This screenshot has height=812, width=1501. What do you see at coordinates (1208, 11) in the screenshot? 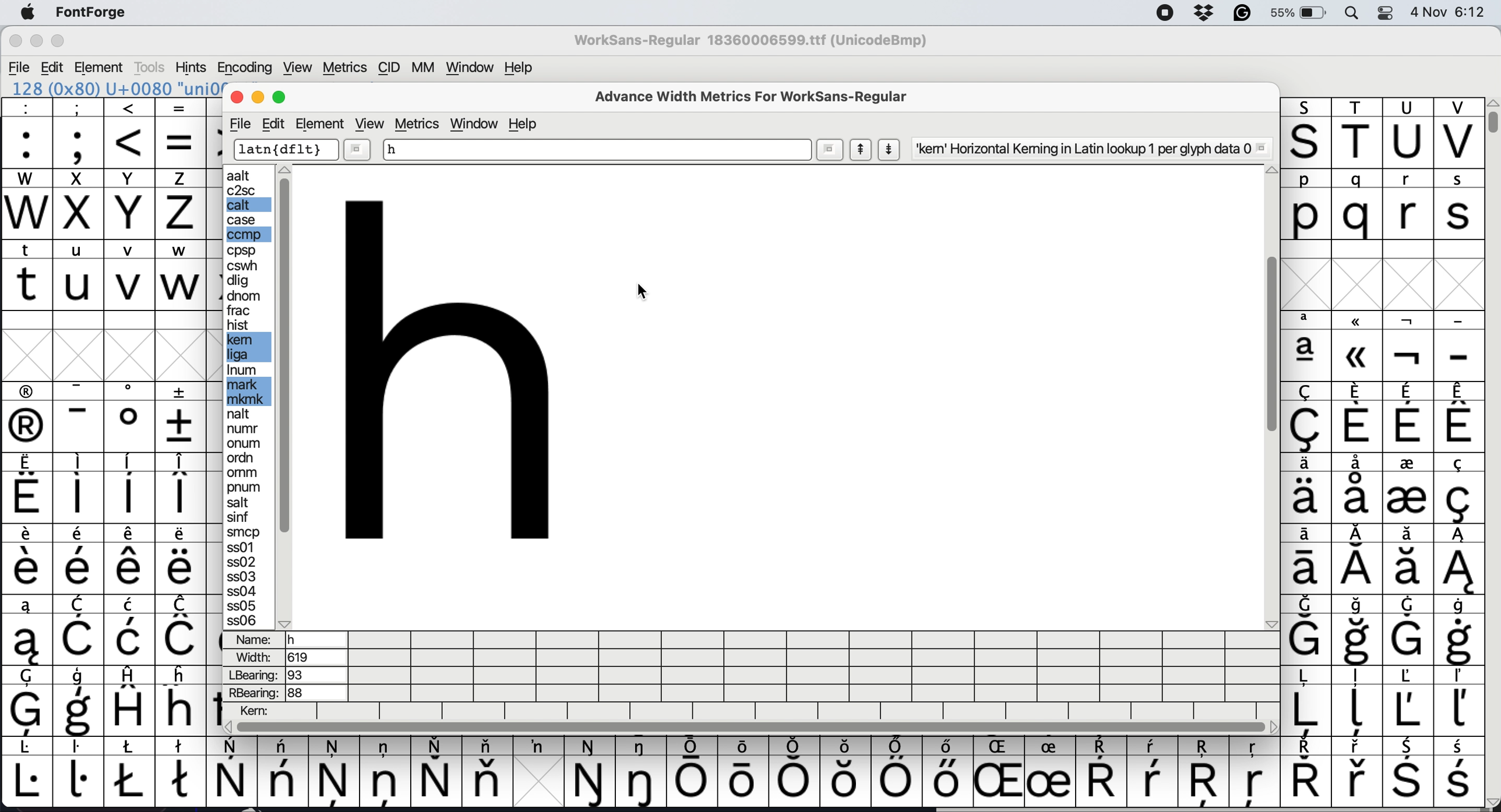
I see `dropbox` at bounding box center [1208, 11].